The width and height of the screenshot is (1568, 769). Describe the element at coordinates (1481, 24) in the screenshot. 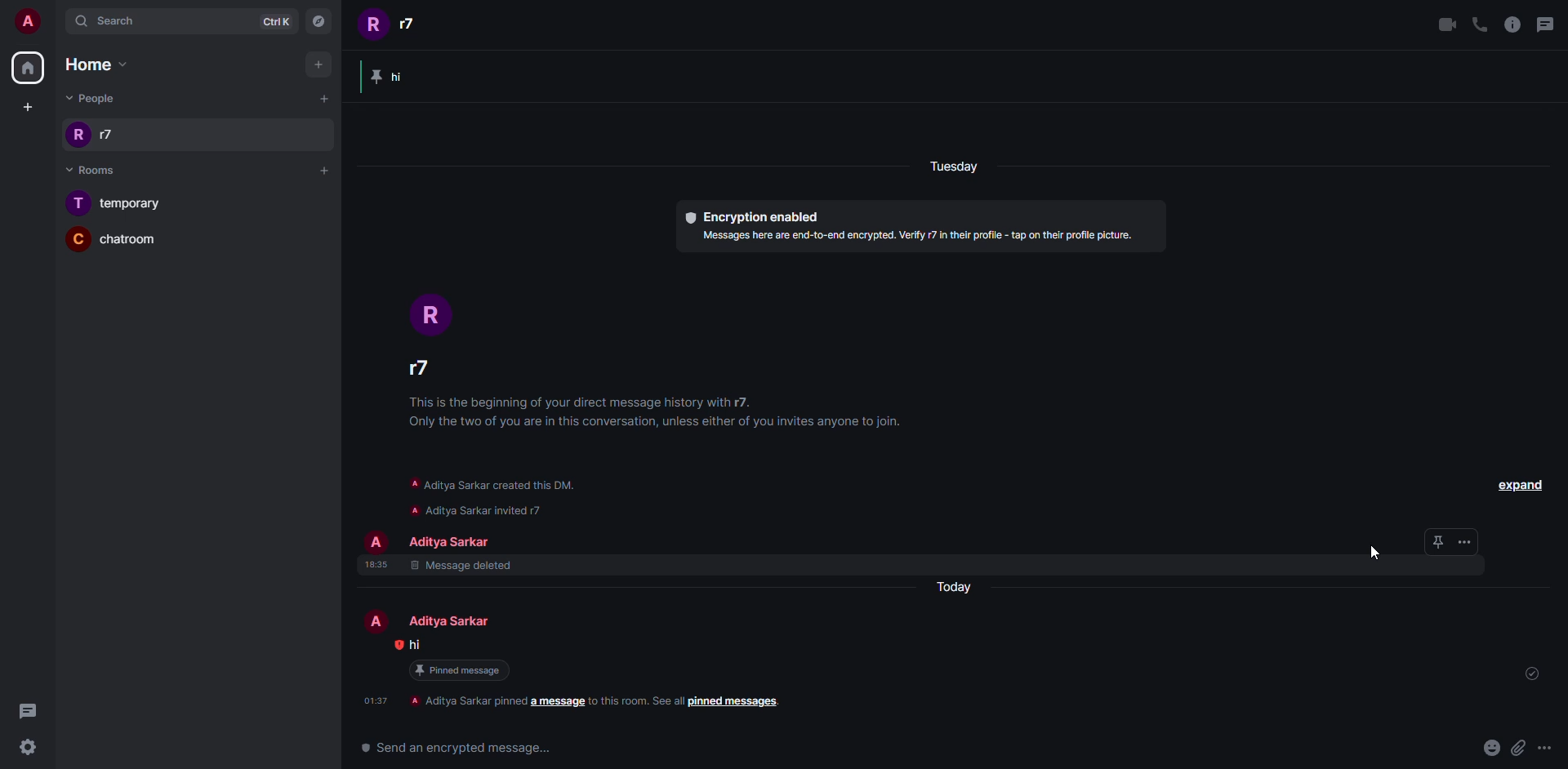

I see `voice call` at that location.